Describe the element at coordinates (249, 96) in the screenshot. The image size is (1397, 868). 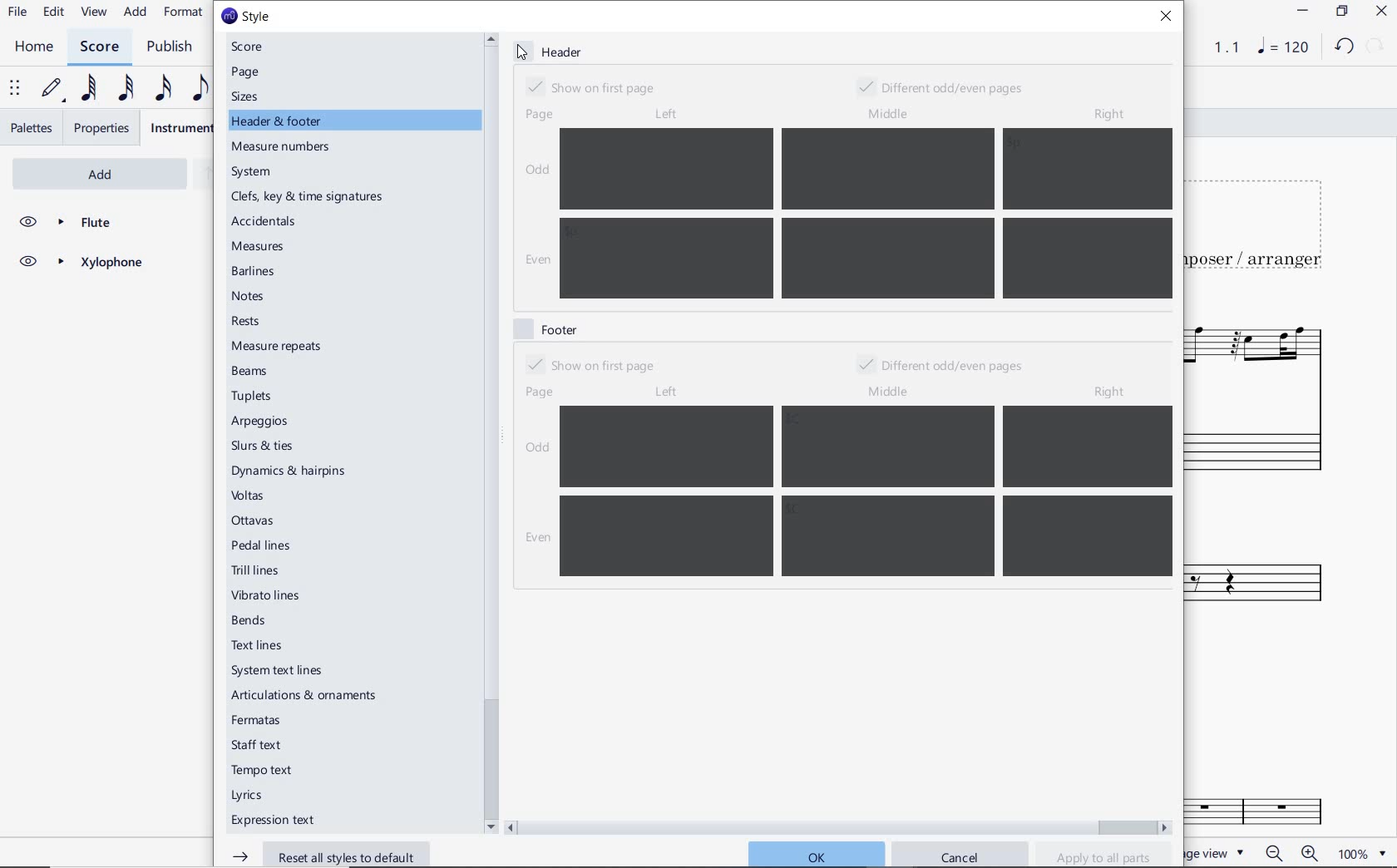
I see `sizes` at that location.